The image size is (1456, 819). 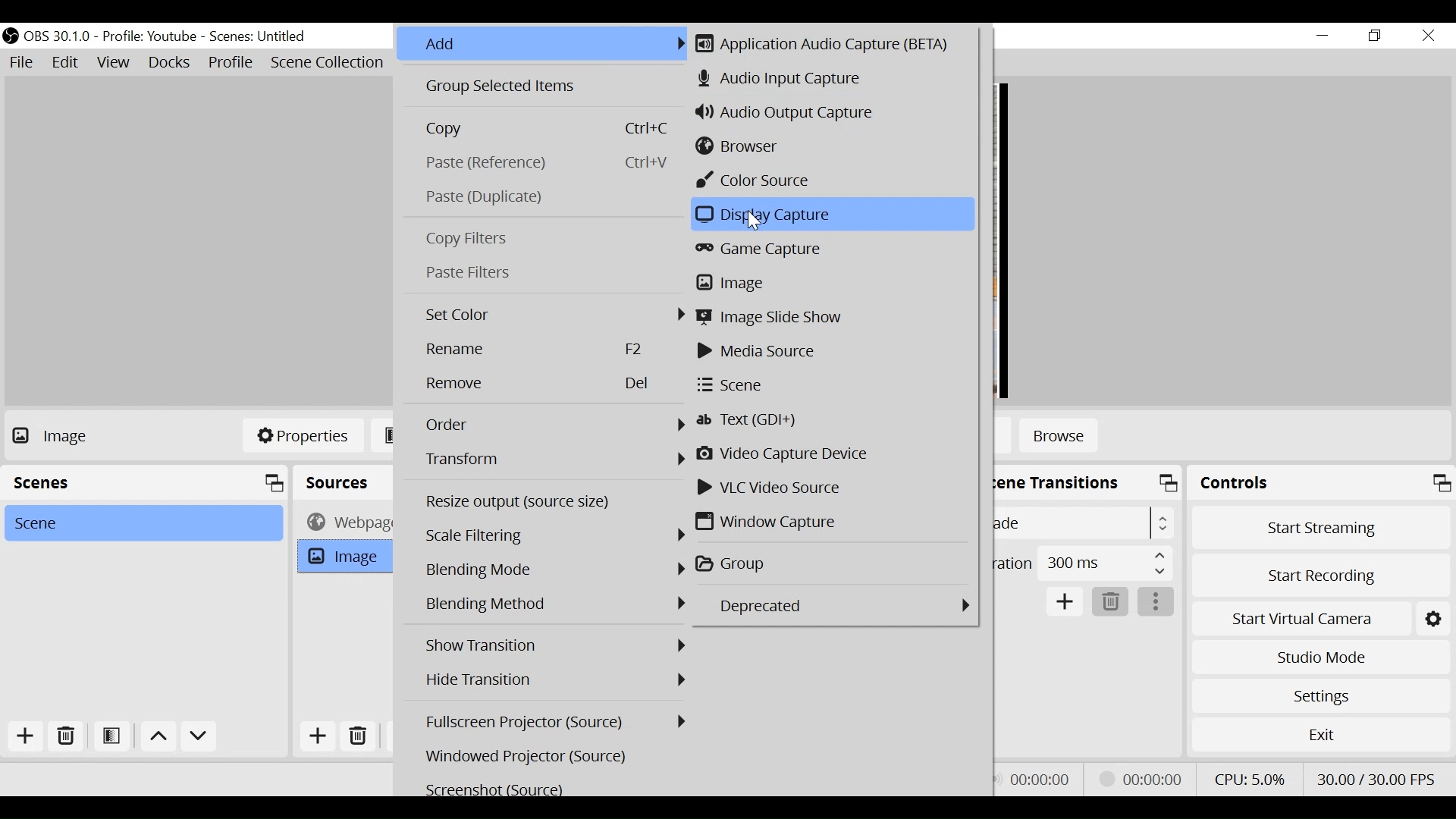 What do you see at coordinates (1321, 696) in the screenshot?
I see `Settings` at bounding box center [1321, 696].